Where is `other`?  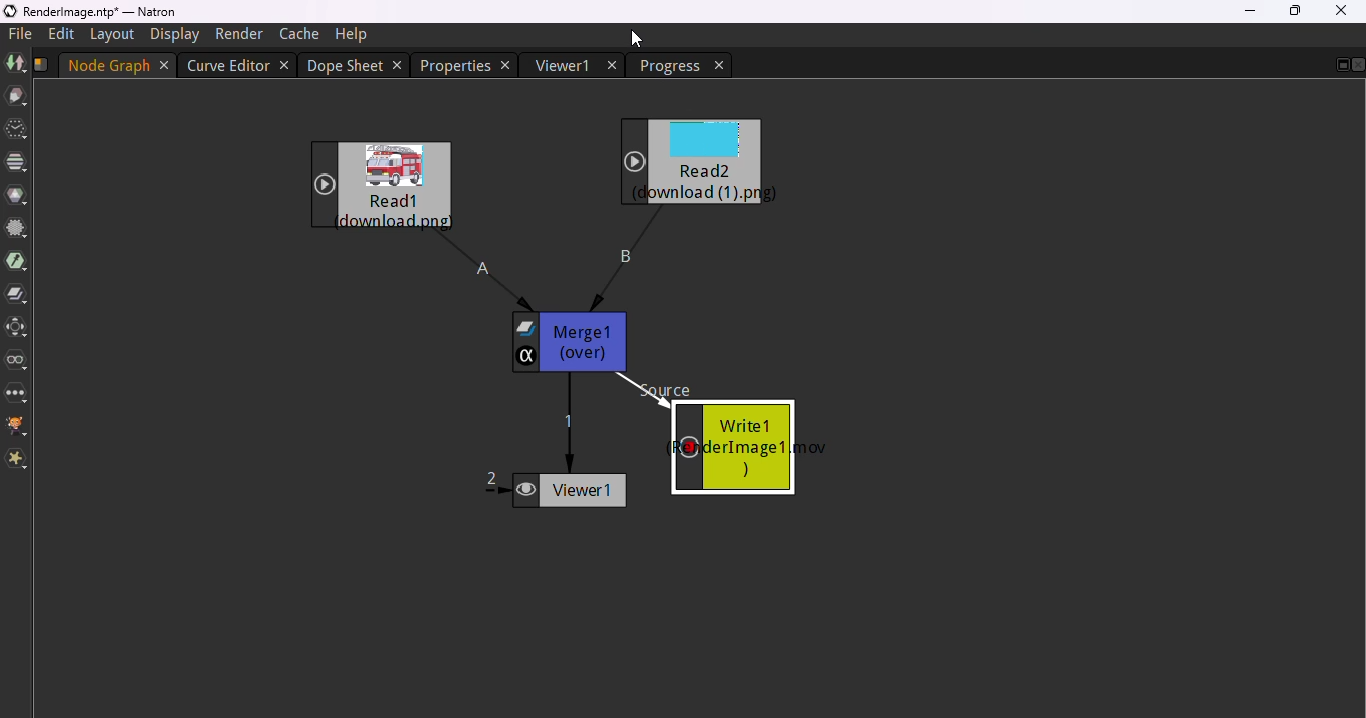 other is located at coordinates (17, 393).